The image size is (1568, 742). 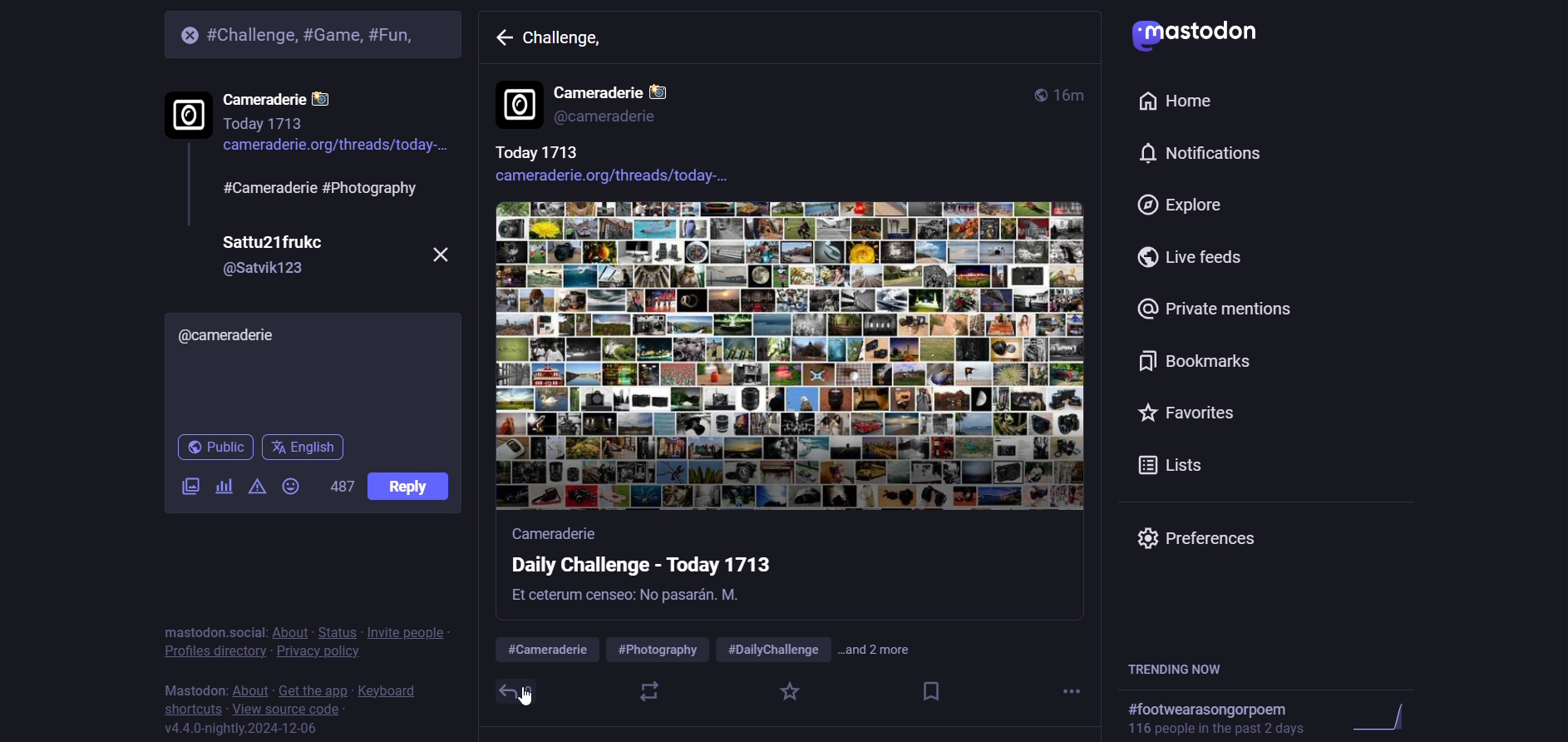 I want to click on reply, so click(x=507, y=691).